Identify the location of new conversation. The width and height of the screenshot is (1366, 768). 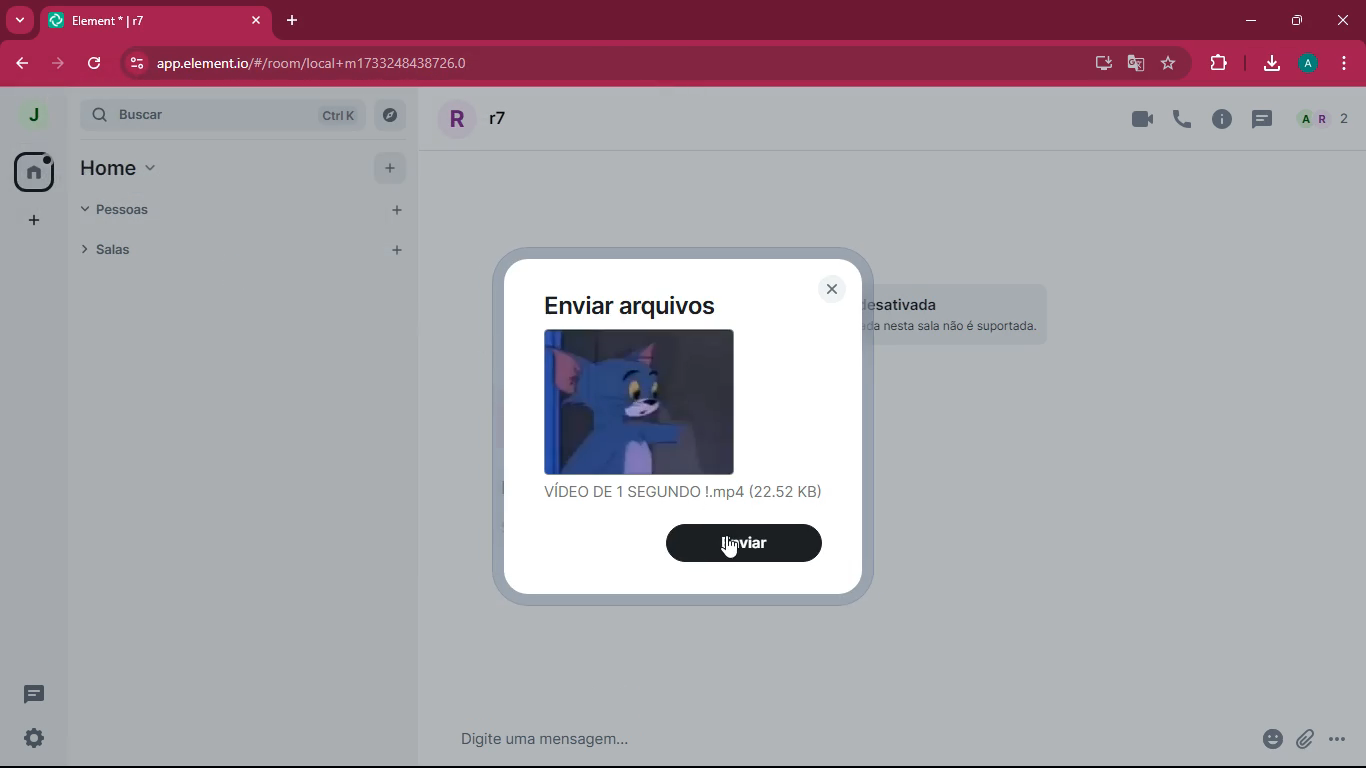
(37, 696).